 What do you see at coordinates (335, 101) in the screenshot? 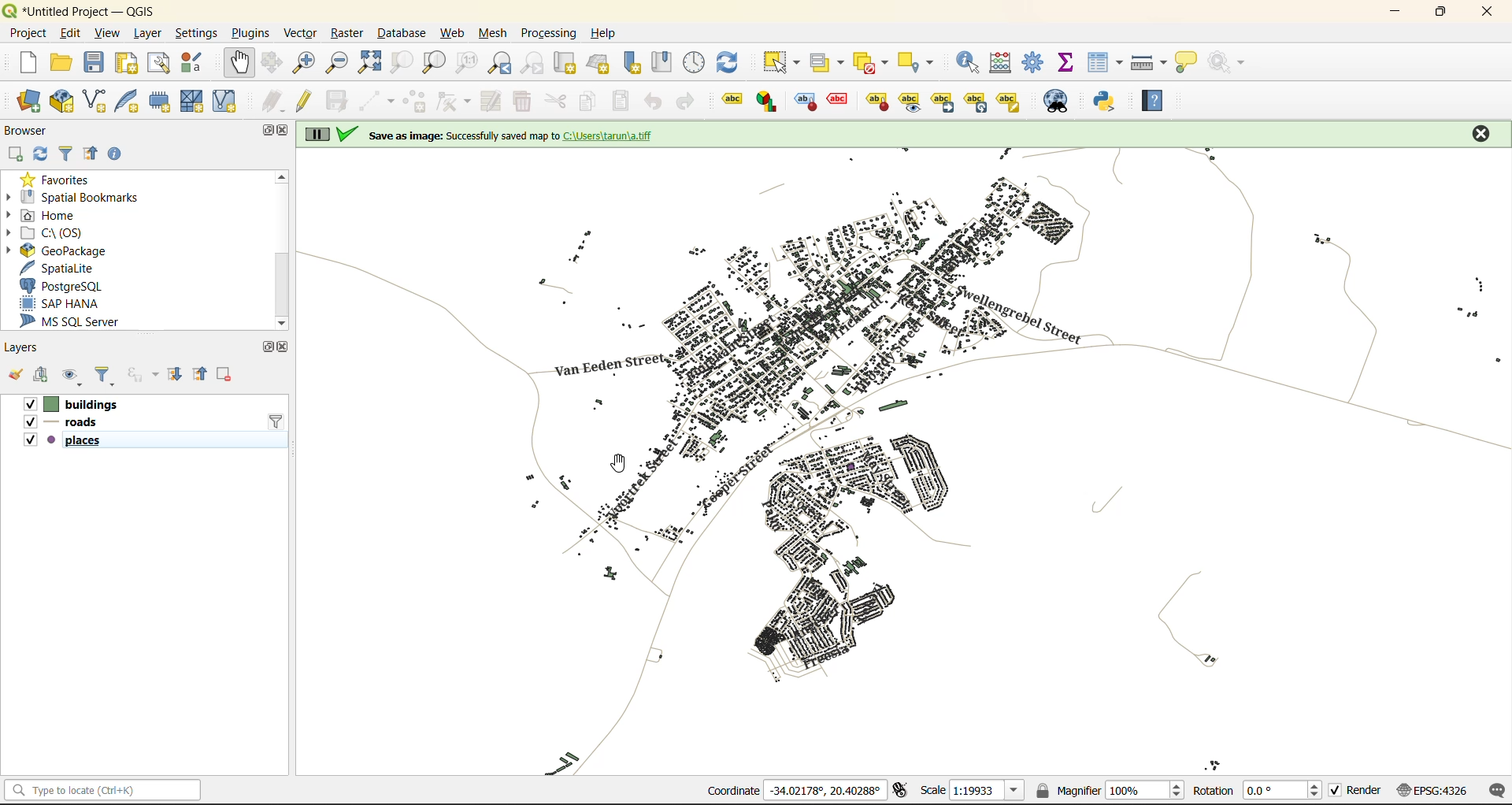
I see `save edits` at bounding box center [335, 101].